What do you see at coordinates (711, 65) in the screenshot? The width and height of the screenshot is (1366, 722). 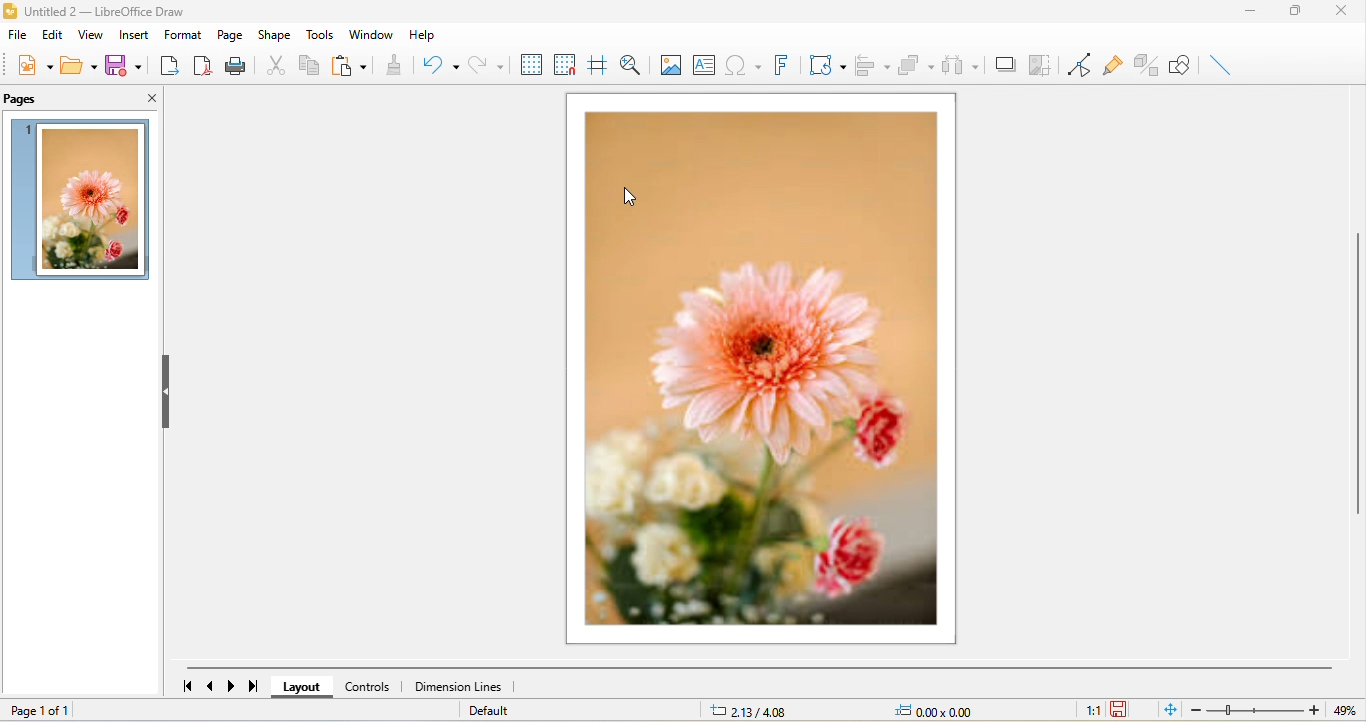 I see `text box` at bounding box center [711, 65].